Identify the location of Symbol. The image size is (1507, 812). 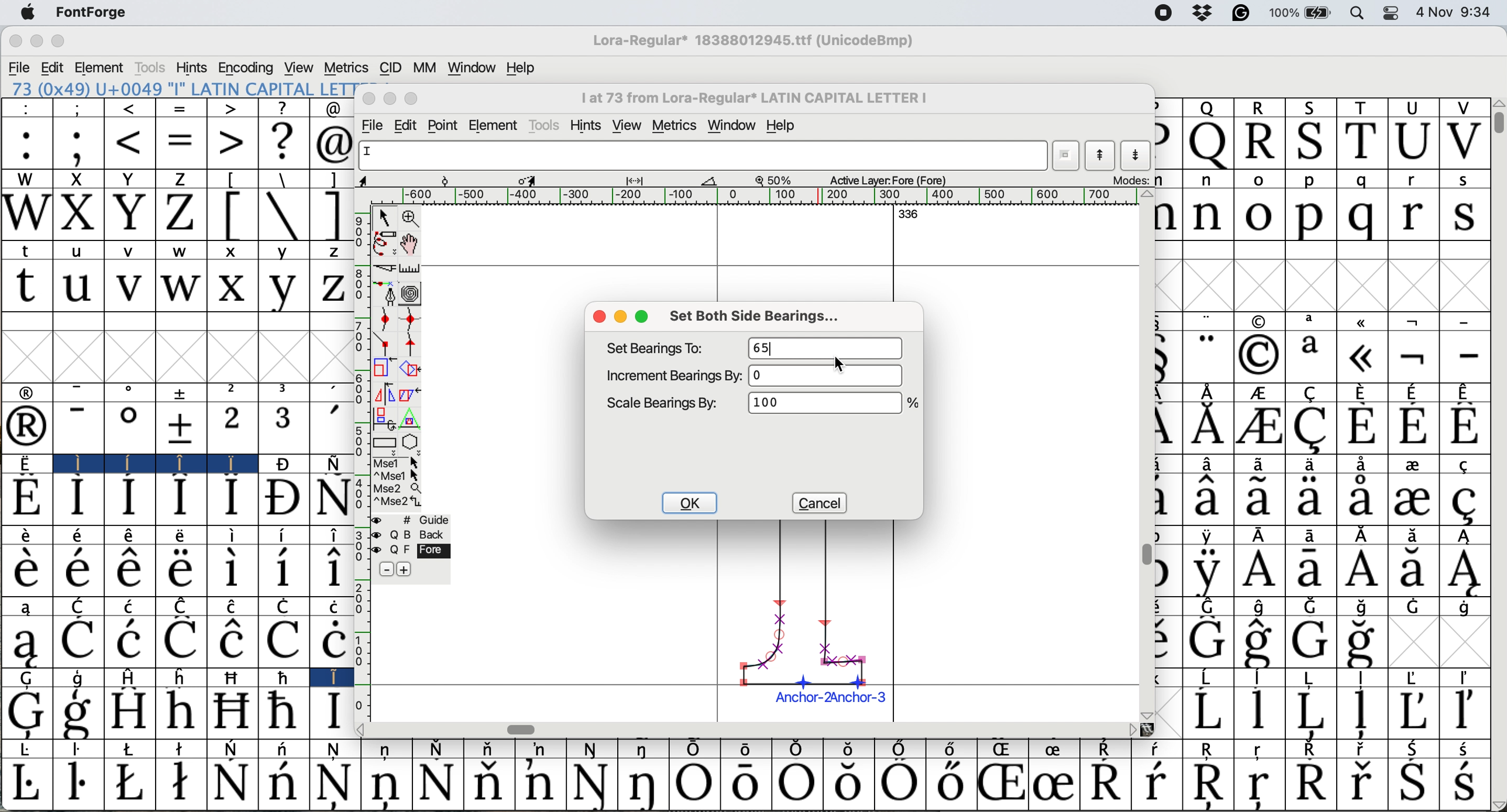
(181, 748).